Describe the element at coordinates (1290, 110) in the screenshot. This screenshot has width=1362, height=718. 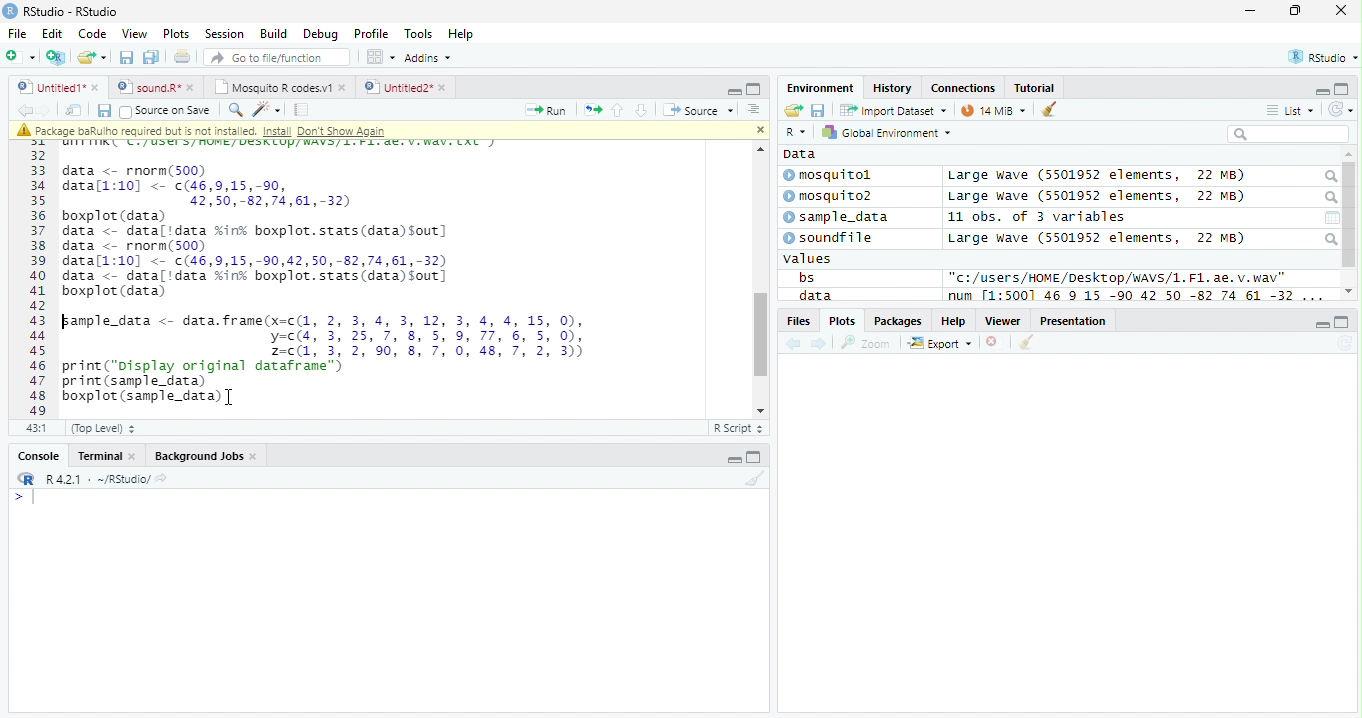
I see `List` at that location.